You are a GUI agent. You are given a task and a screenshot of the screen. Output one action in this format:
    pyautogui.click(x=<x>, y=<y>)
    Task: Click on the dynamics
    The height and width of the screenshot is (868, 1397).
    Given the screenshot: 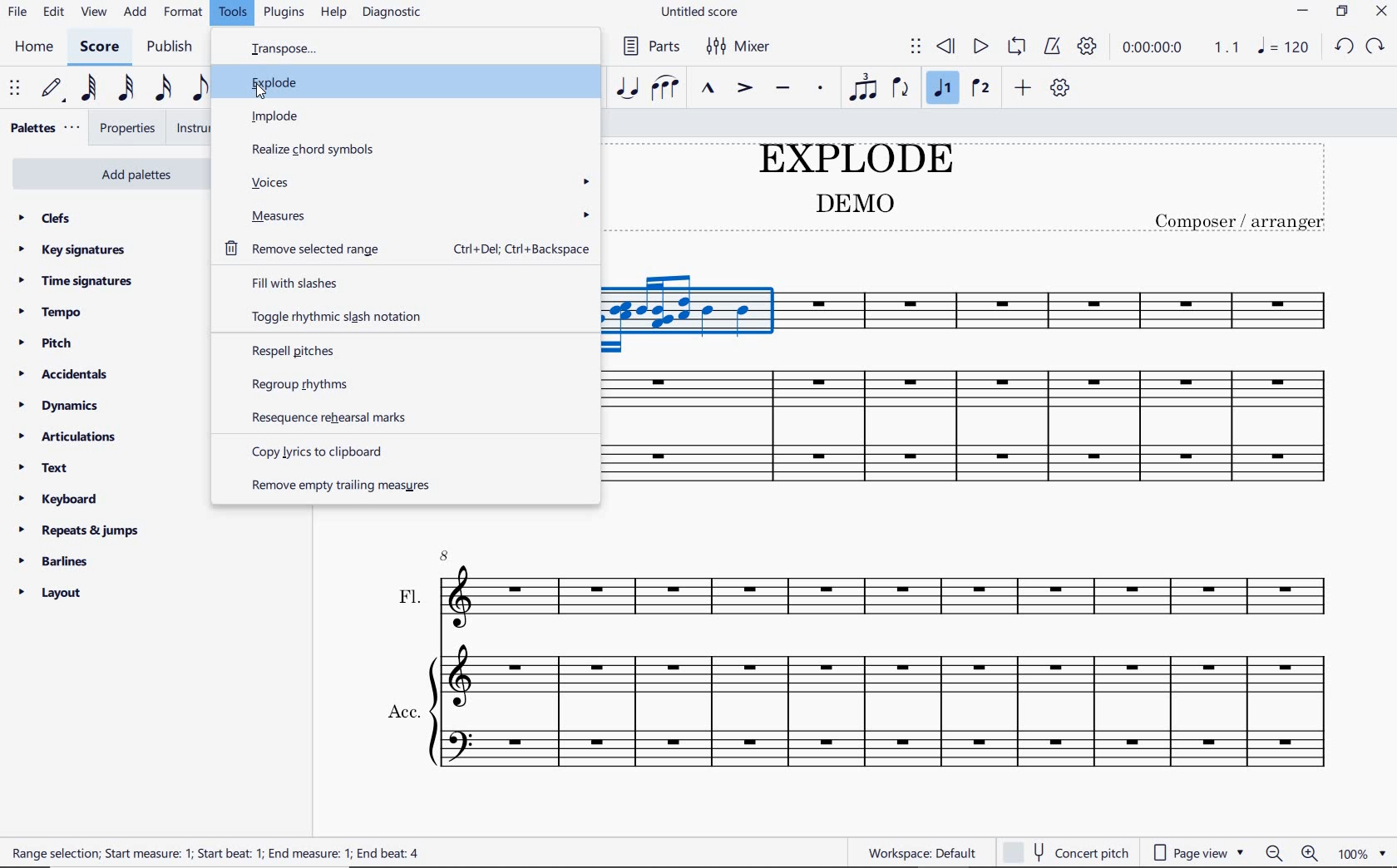 What is the action you would take?
    pyautogui.click(x=61, y=404)
    